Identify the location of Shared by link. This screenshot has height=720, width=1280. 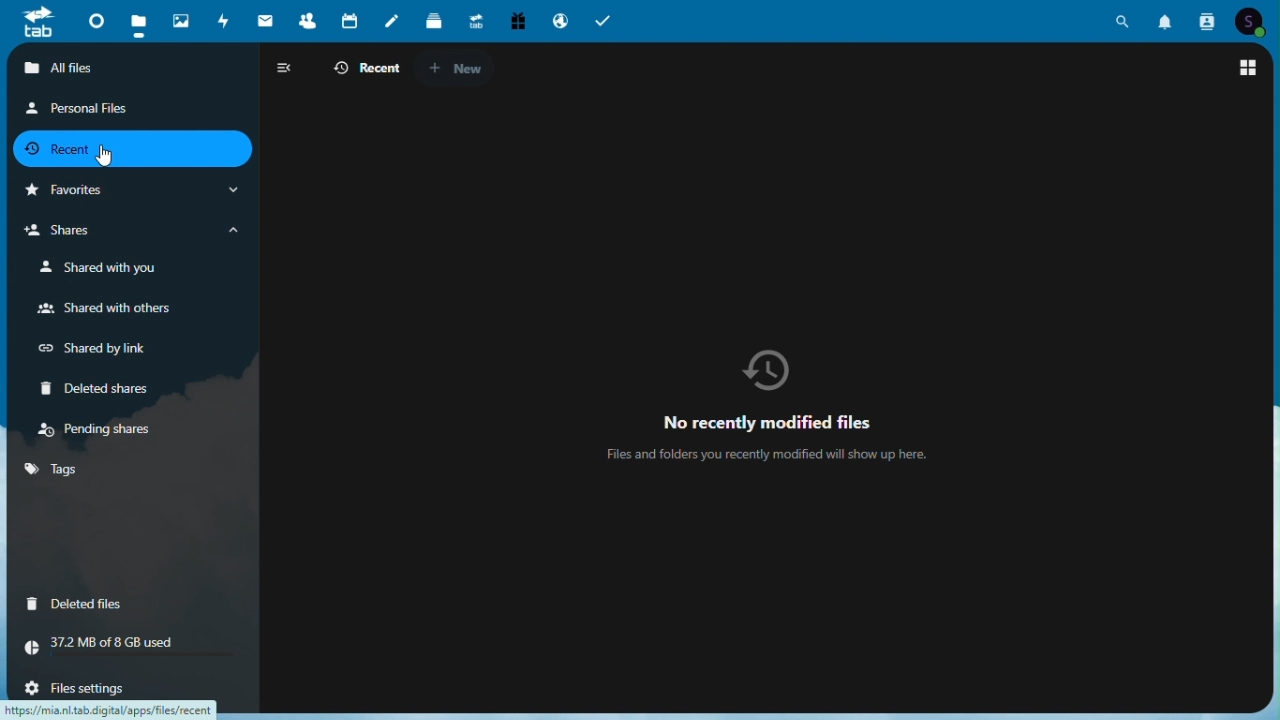
(90, 347).